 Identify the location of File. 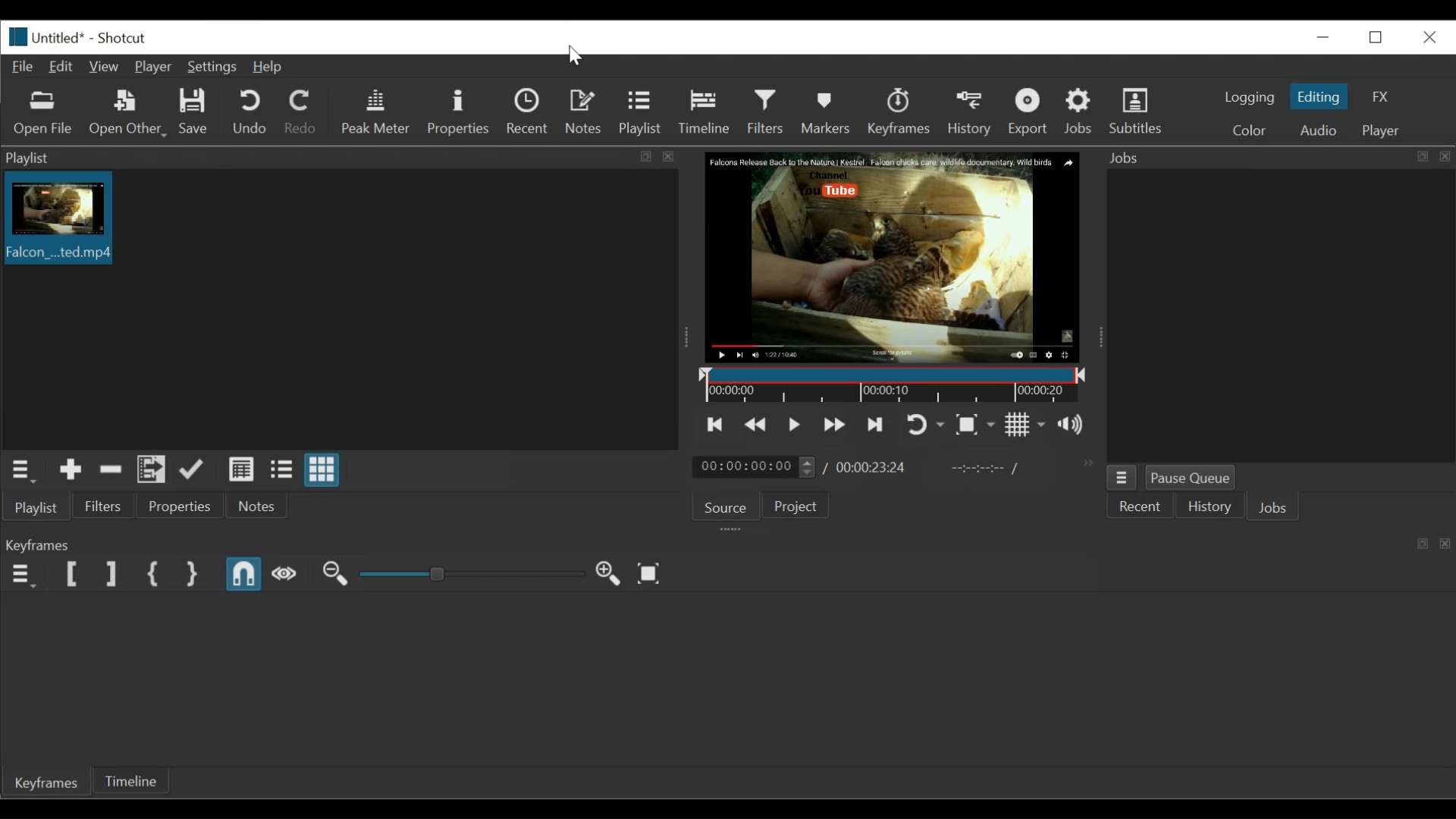
(22, 66).